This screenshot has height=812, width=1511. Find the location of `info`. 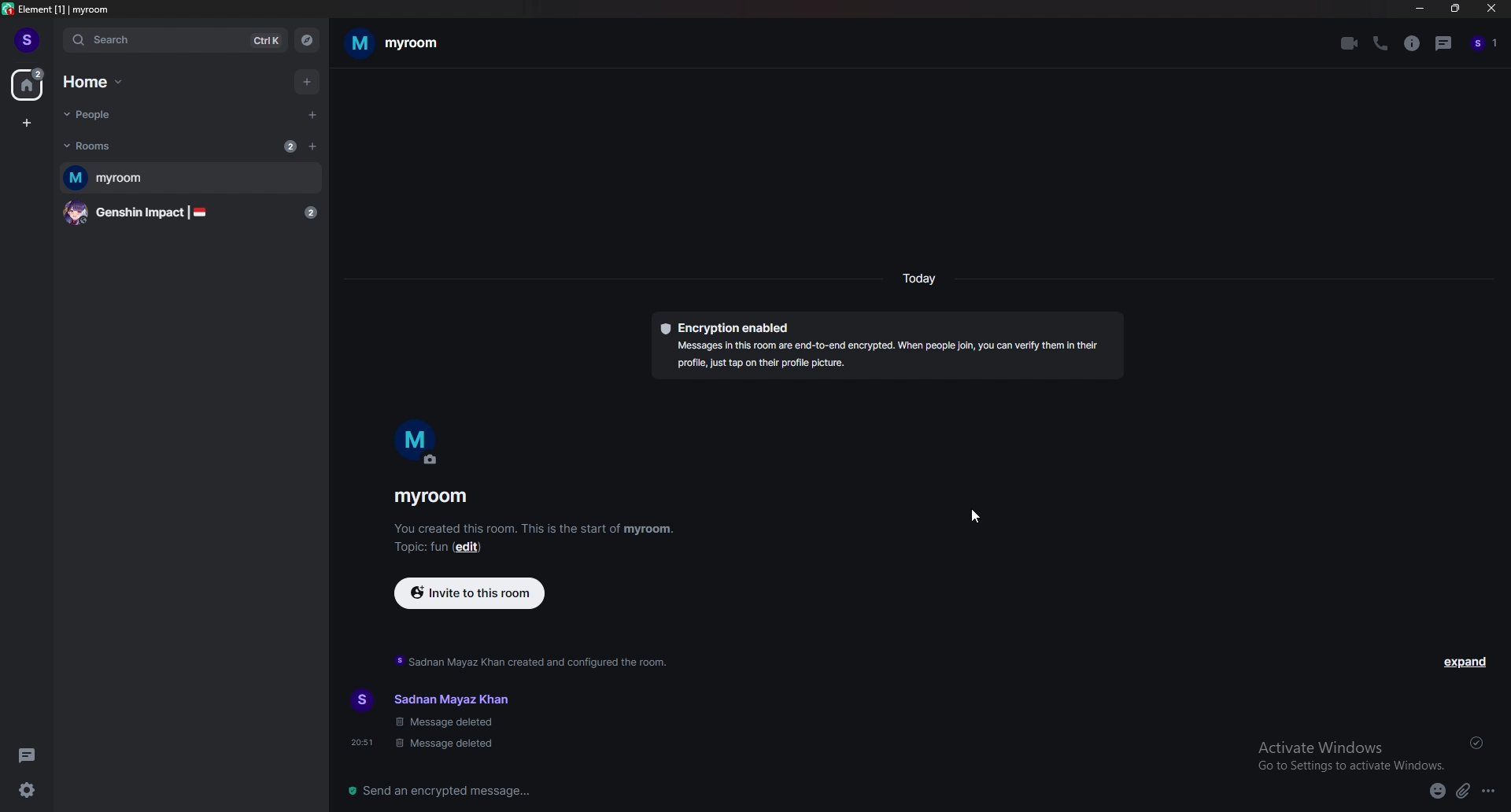

info is located at coordinates (1413, 44).